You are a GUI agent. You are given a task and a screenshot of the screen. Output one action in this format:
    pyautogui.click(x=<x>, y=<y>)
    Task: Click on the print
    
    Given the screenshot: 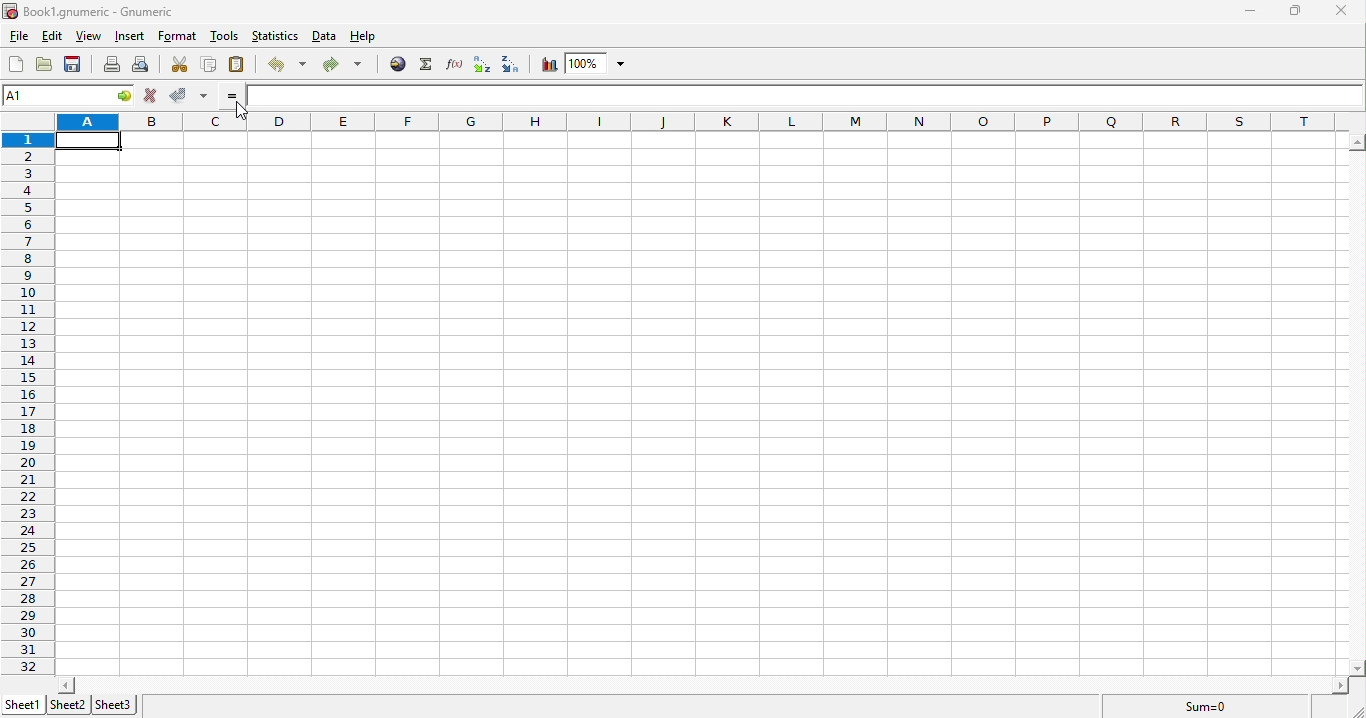 What is the action you would take?
    pyautogui.click(x=113, y=66)
    